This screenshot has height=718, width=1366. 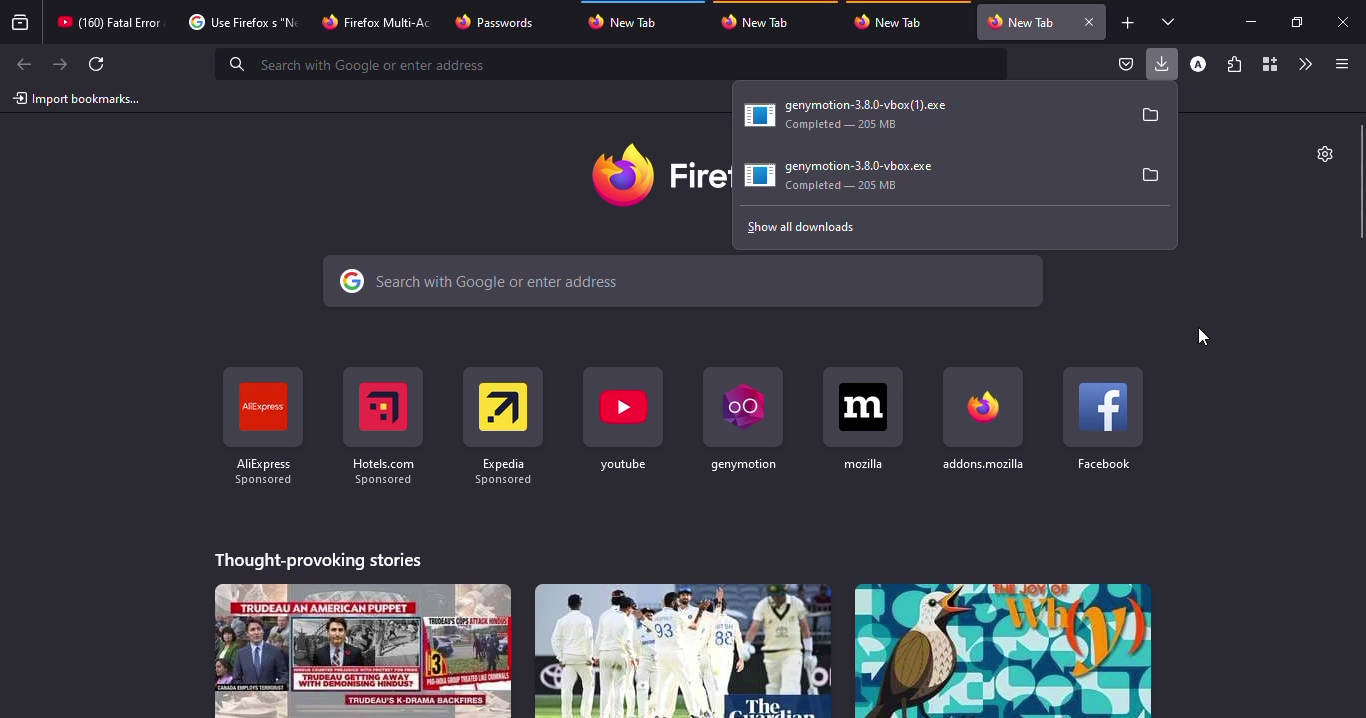 I want to click on shortcut, so click(x=262, y=427).